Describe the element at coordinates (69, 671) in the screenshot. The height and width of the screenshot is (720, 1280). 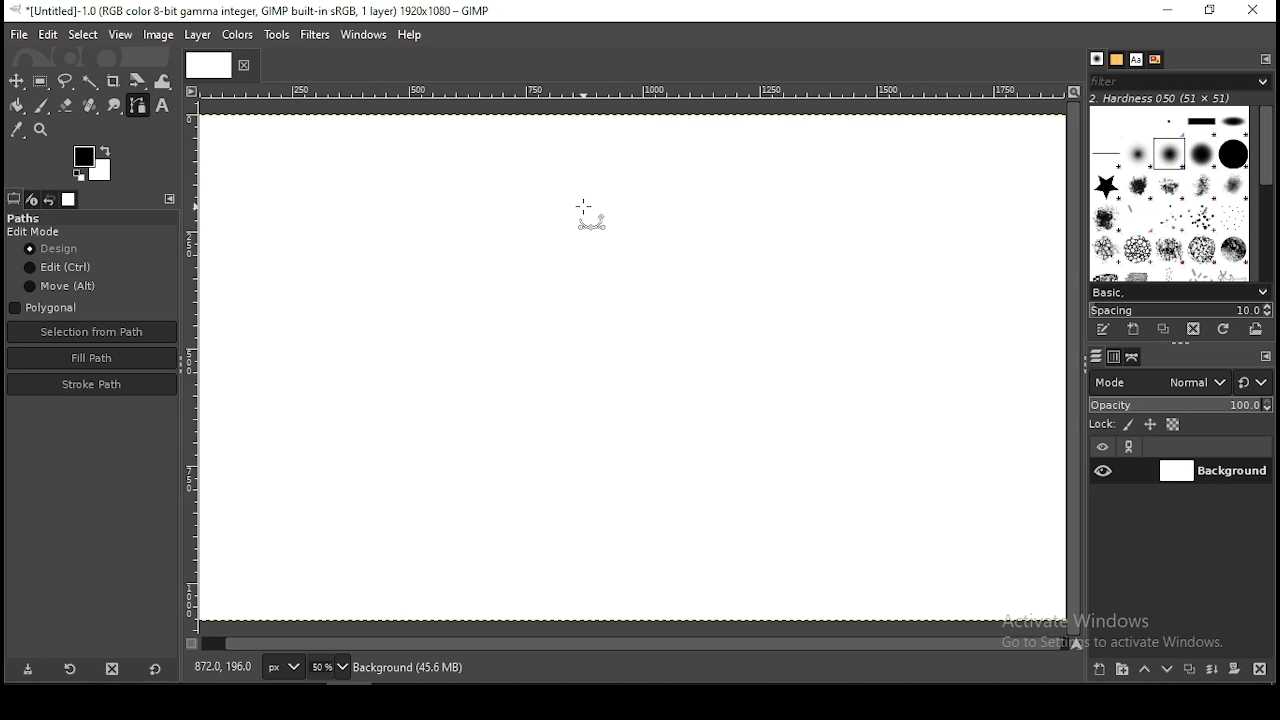
I see `refresh  tool preset` at that location.